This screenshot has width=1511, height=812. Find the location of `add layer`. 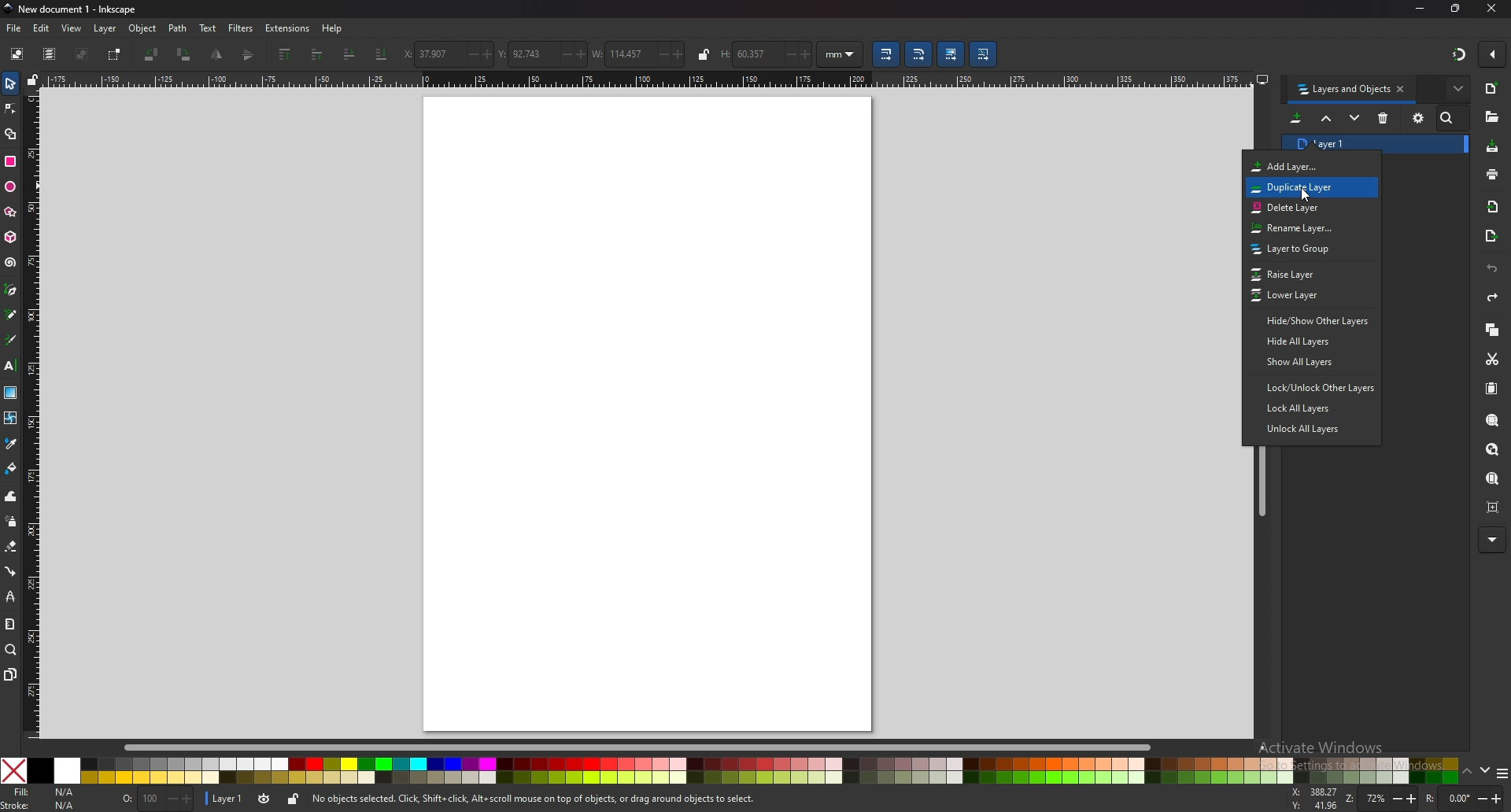

add layer is located at coordinates (1302, 166).